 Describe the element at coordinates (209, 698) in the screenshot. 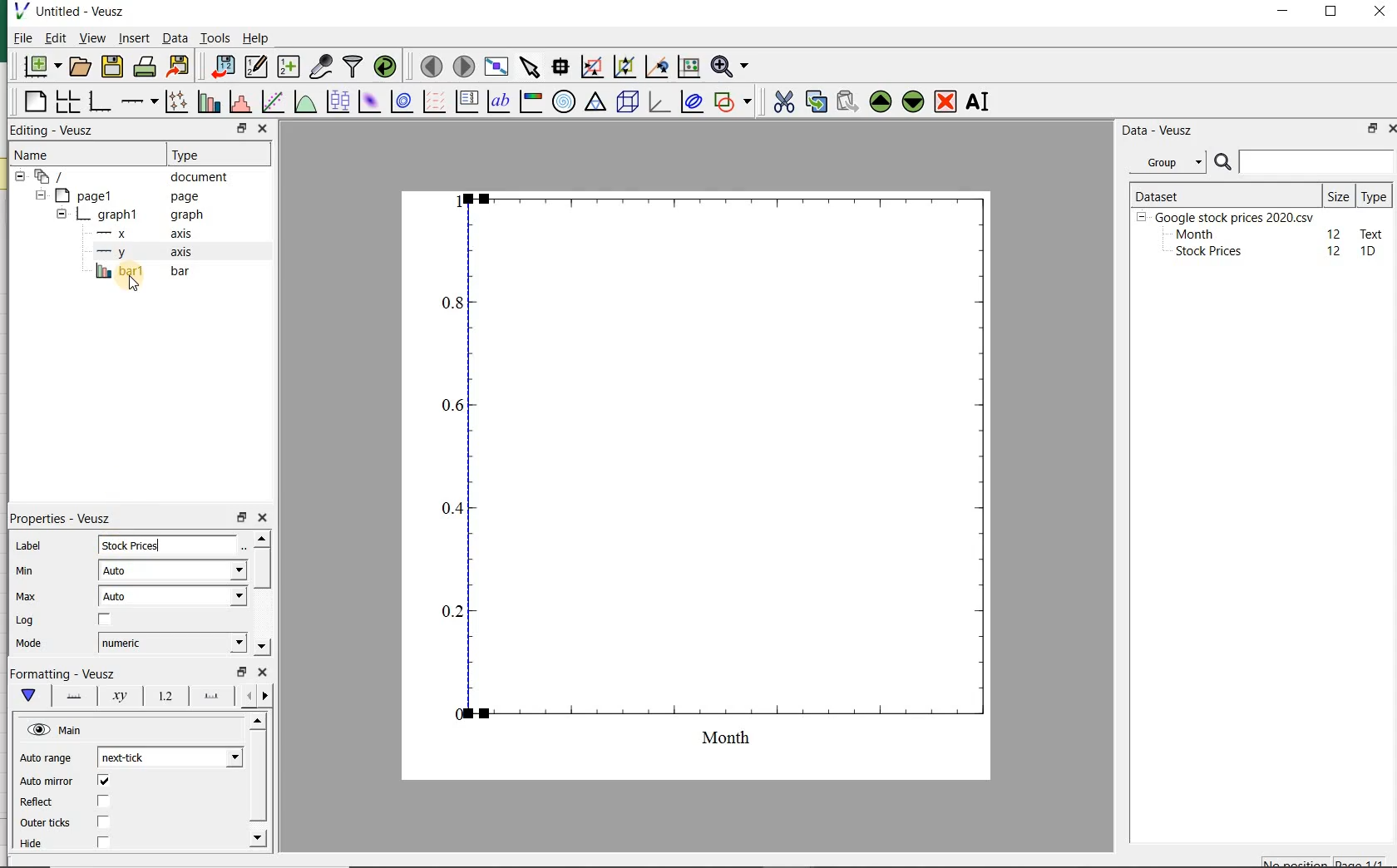

I see `major ticks` at that location.